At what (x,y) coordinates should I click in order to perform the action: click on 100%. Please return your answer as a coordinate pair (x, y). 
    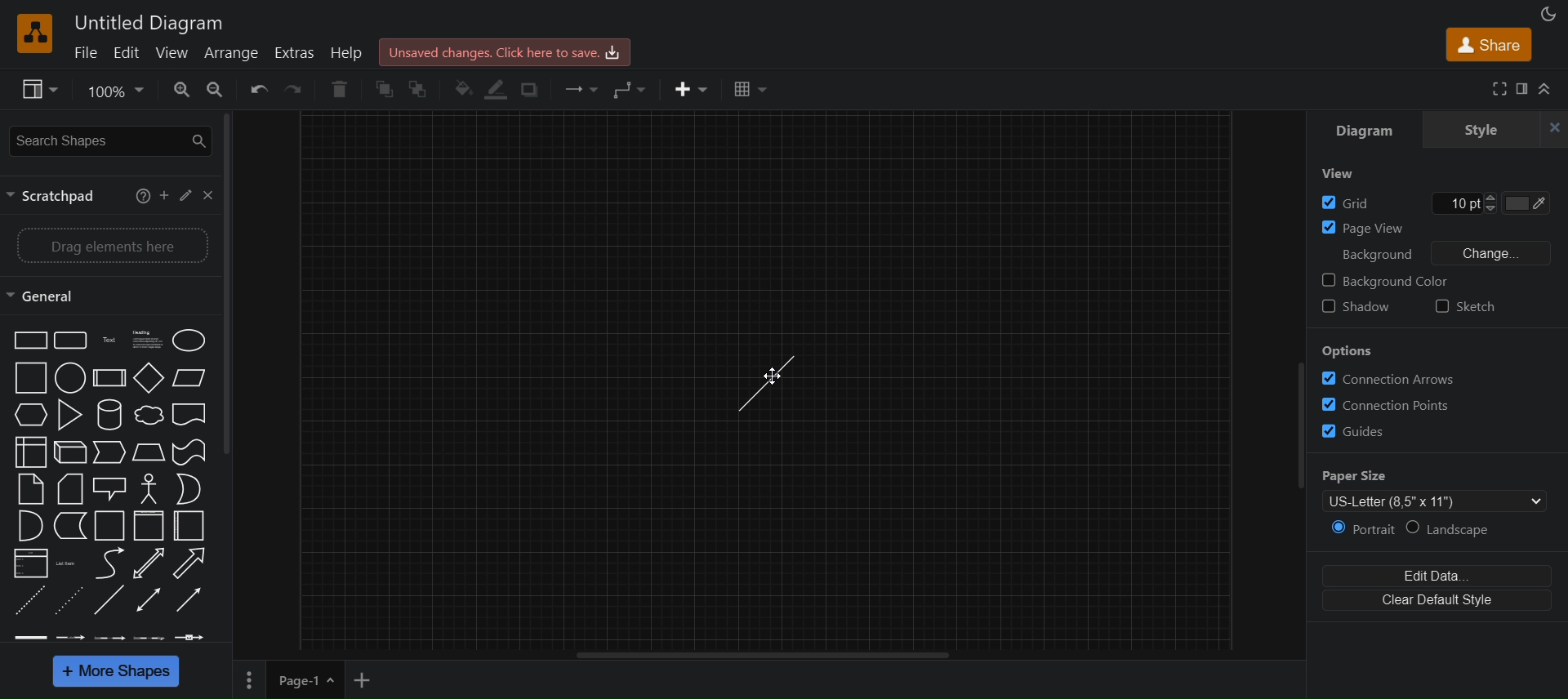
    Looking at the image, I should click on (115, 92).